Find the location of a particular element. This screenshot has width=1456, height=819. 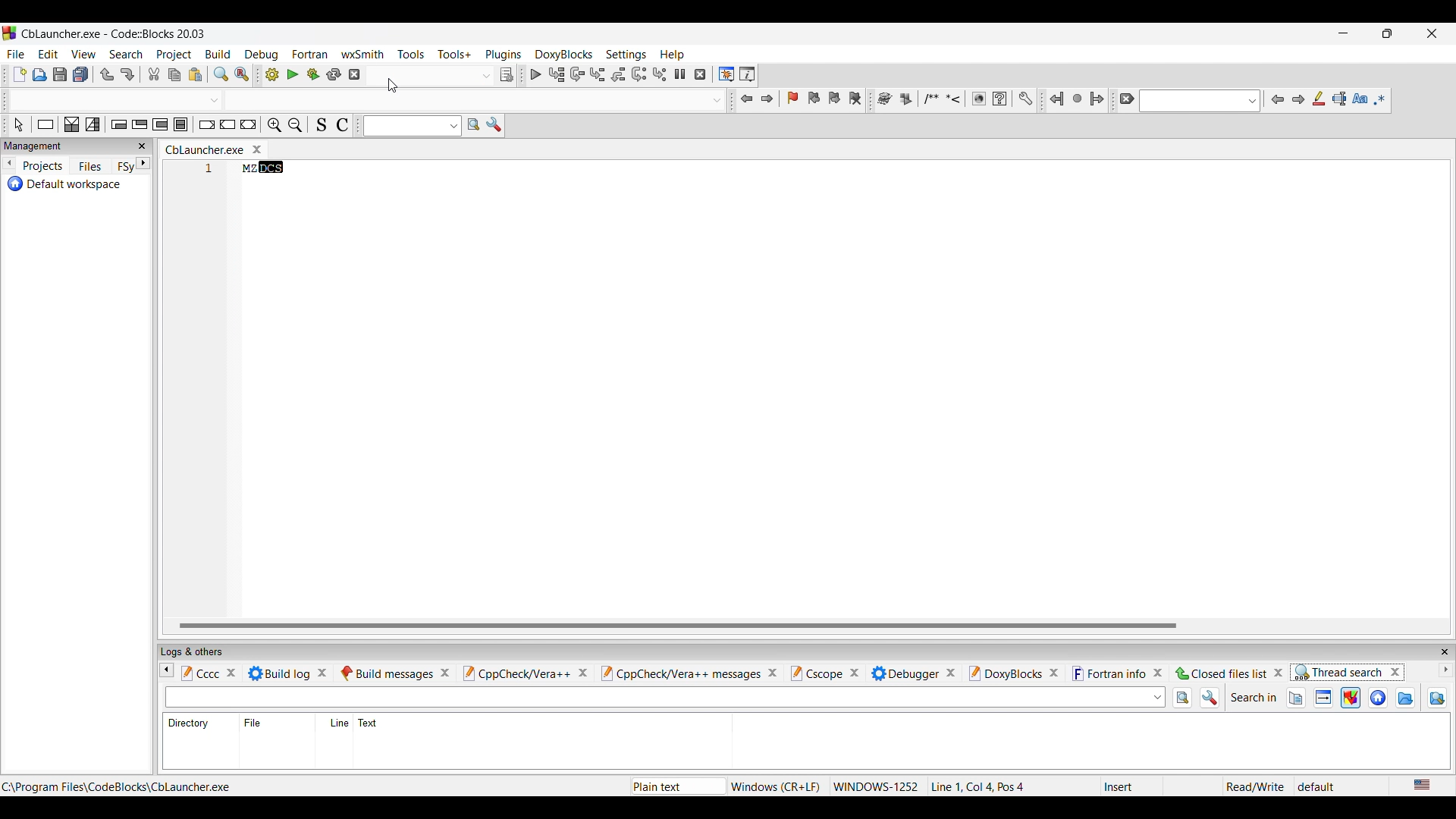

Toggle bookmark is located at coordinates (792, 98).